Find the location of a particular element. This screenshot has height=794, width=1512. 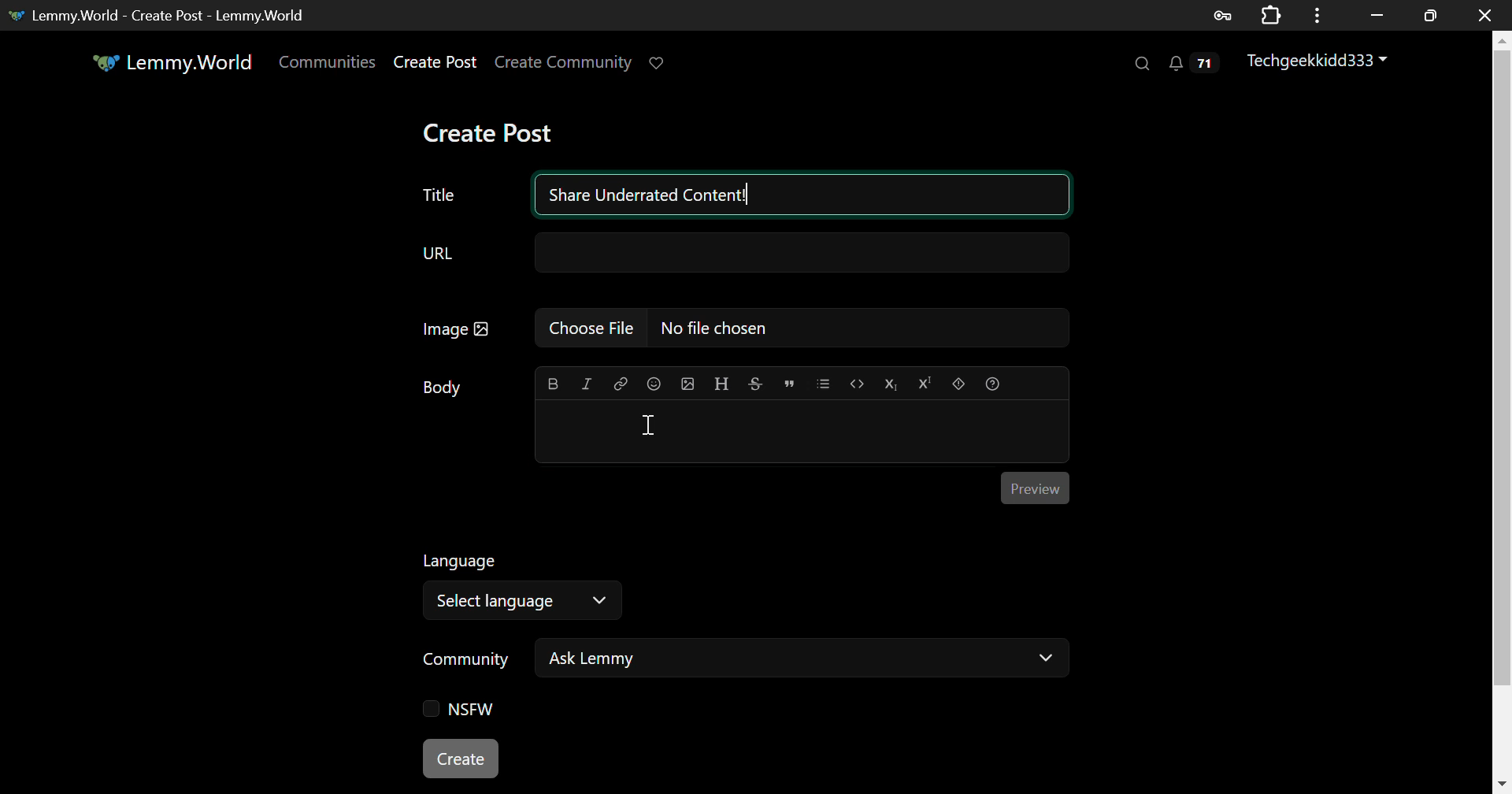

Lemmy.World is located at coordinates (175, 62).